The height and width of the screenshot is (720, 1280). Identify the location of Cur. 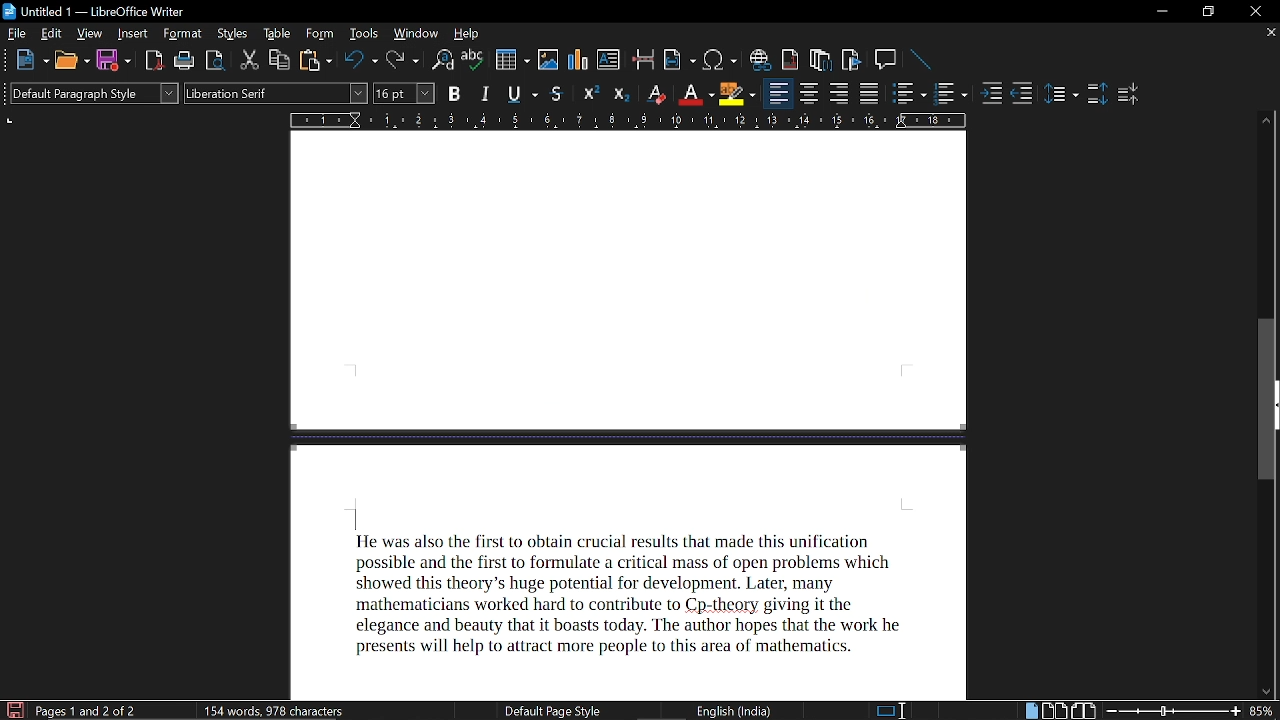
(250, 61).